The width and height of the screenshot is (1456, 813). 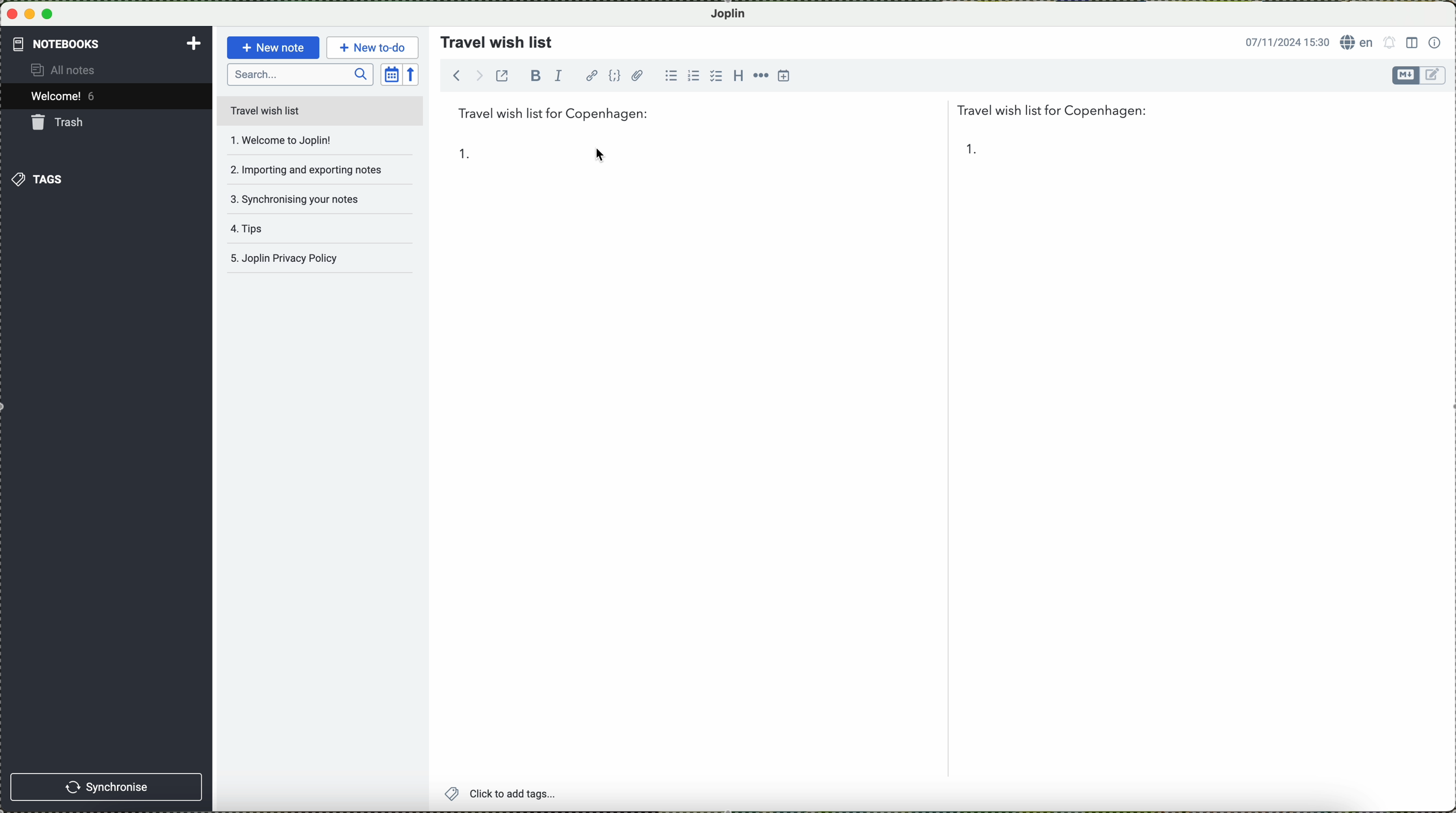 What do you see at coordinates (108, 786) in the screenshot?
I see `synchronise button` at bounding box center [108, 786].